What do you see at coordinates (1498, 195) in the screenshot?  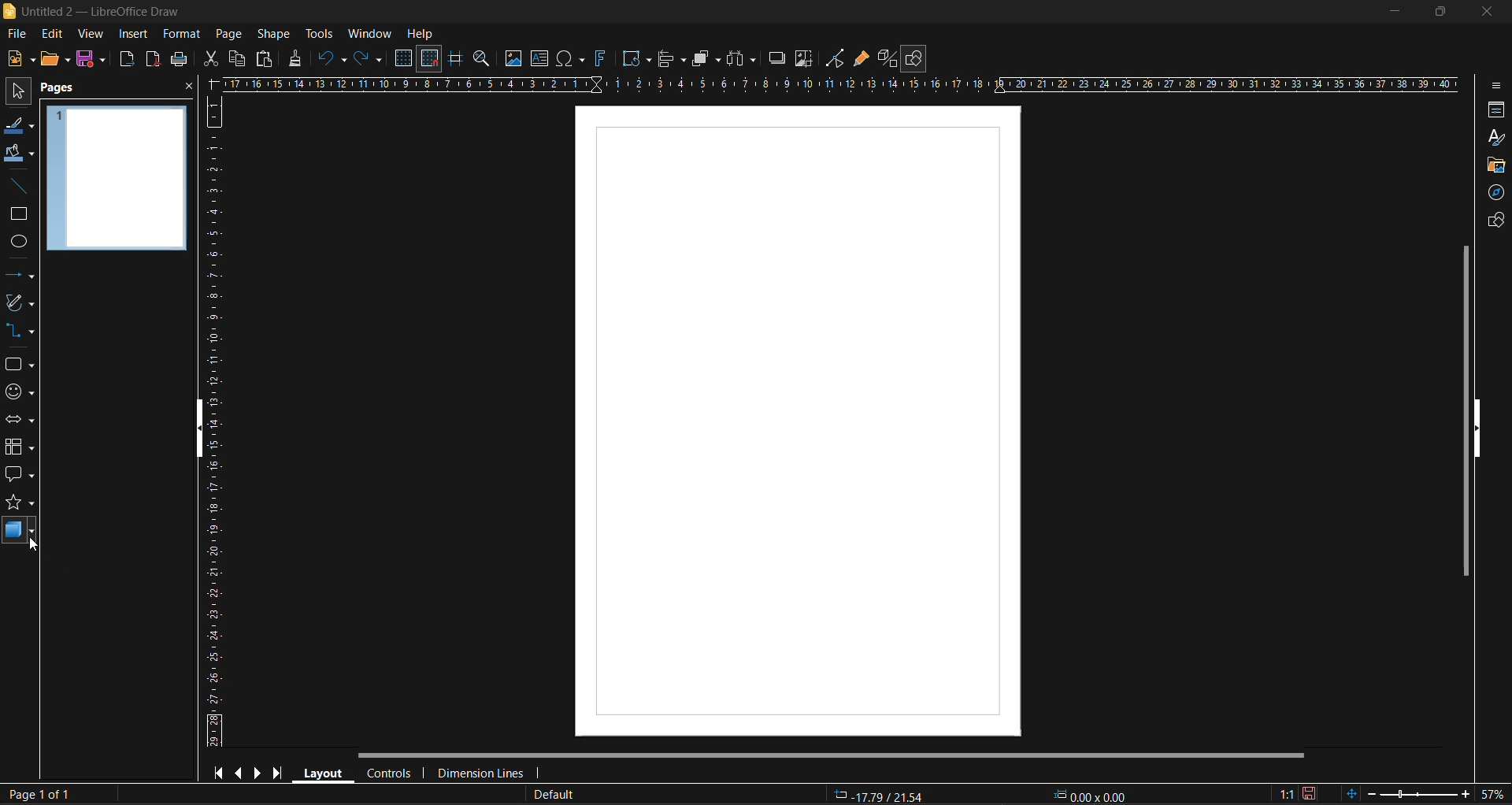 I see `navigator` at bounding box center [1498, 195].